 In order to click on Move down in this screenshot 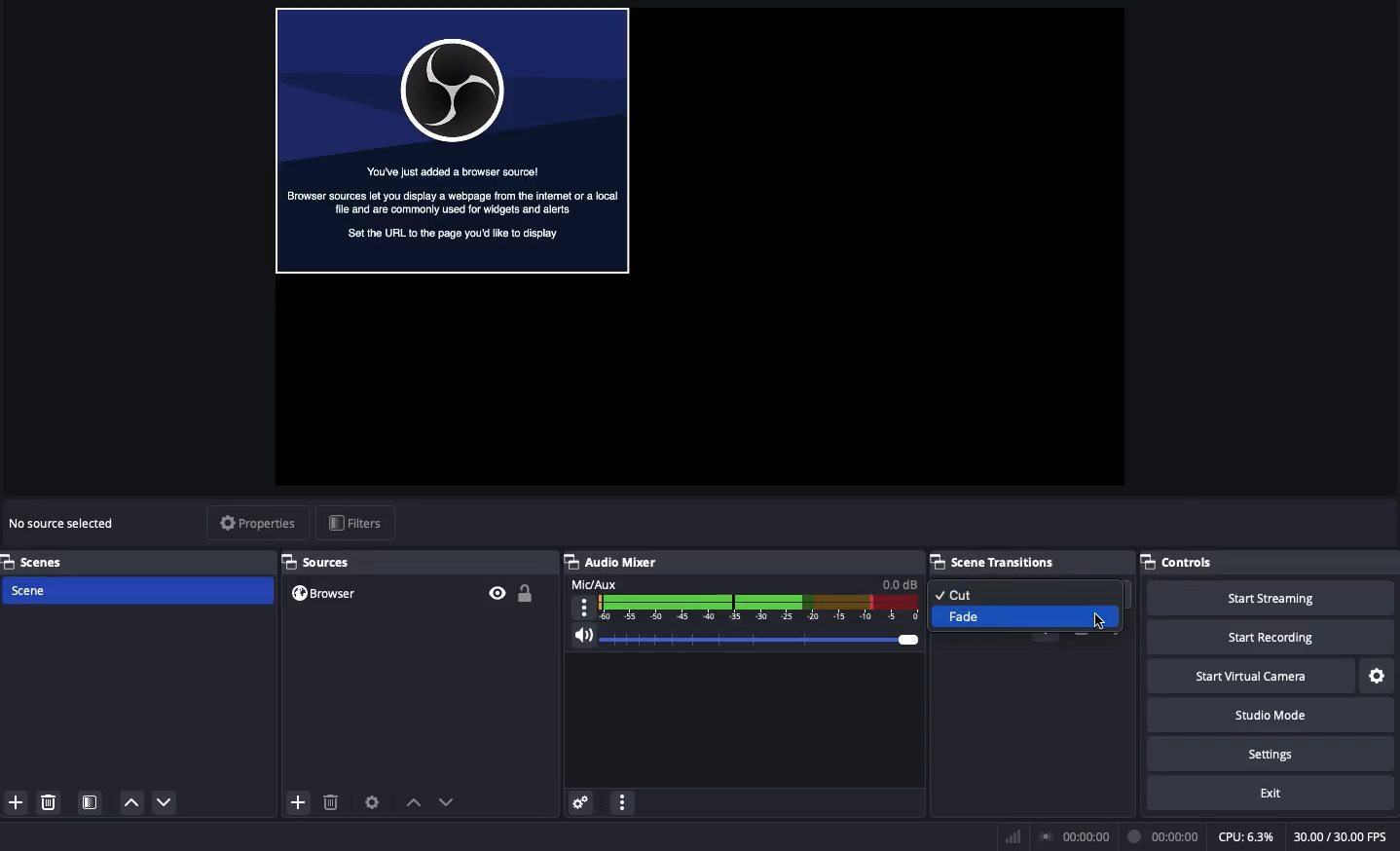, I will do `click(166, 801)`.